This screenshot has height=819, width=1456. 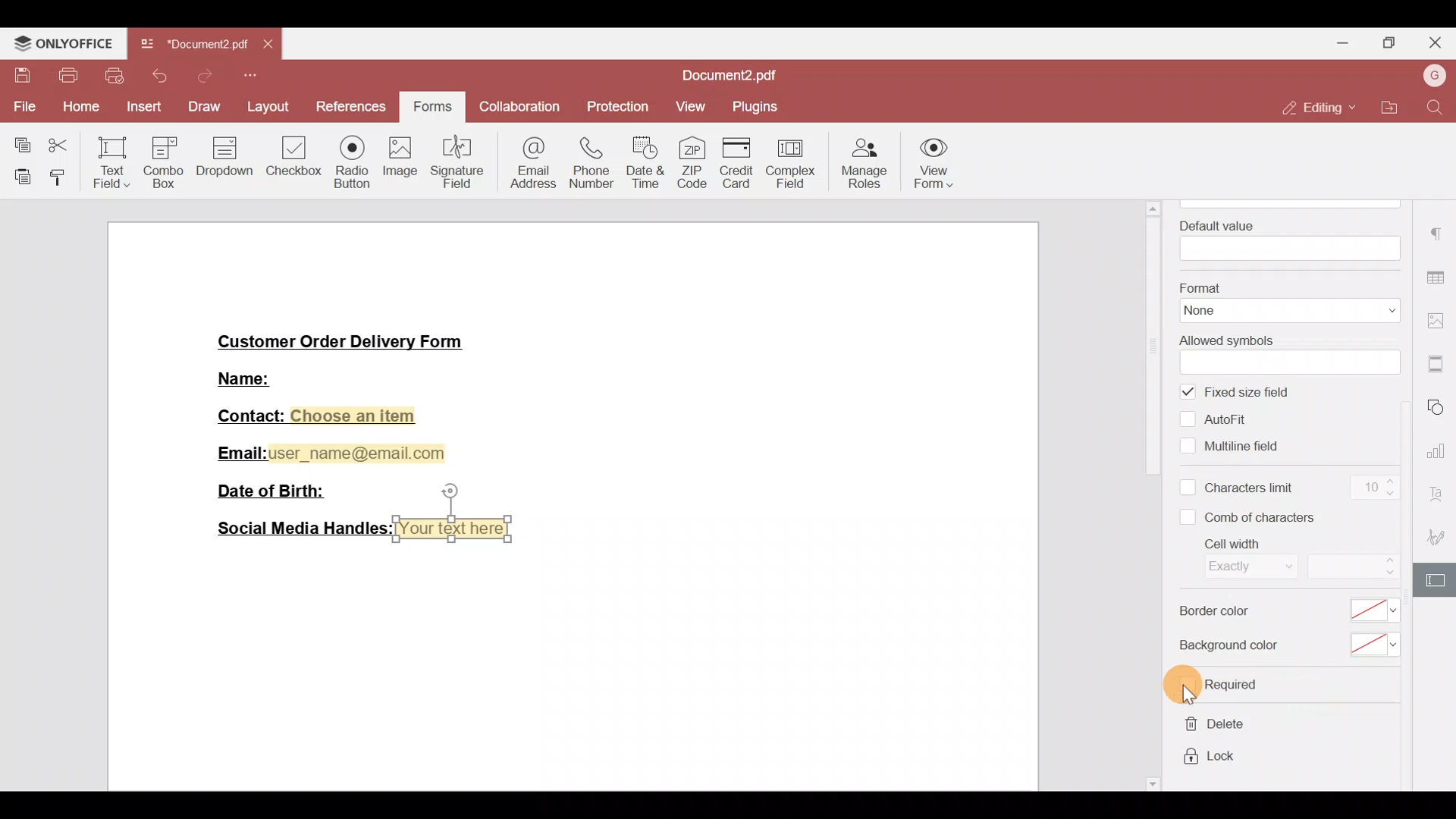 I want to click on Collaboration, so click(x=521, y=108).